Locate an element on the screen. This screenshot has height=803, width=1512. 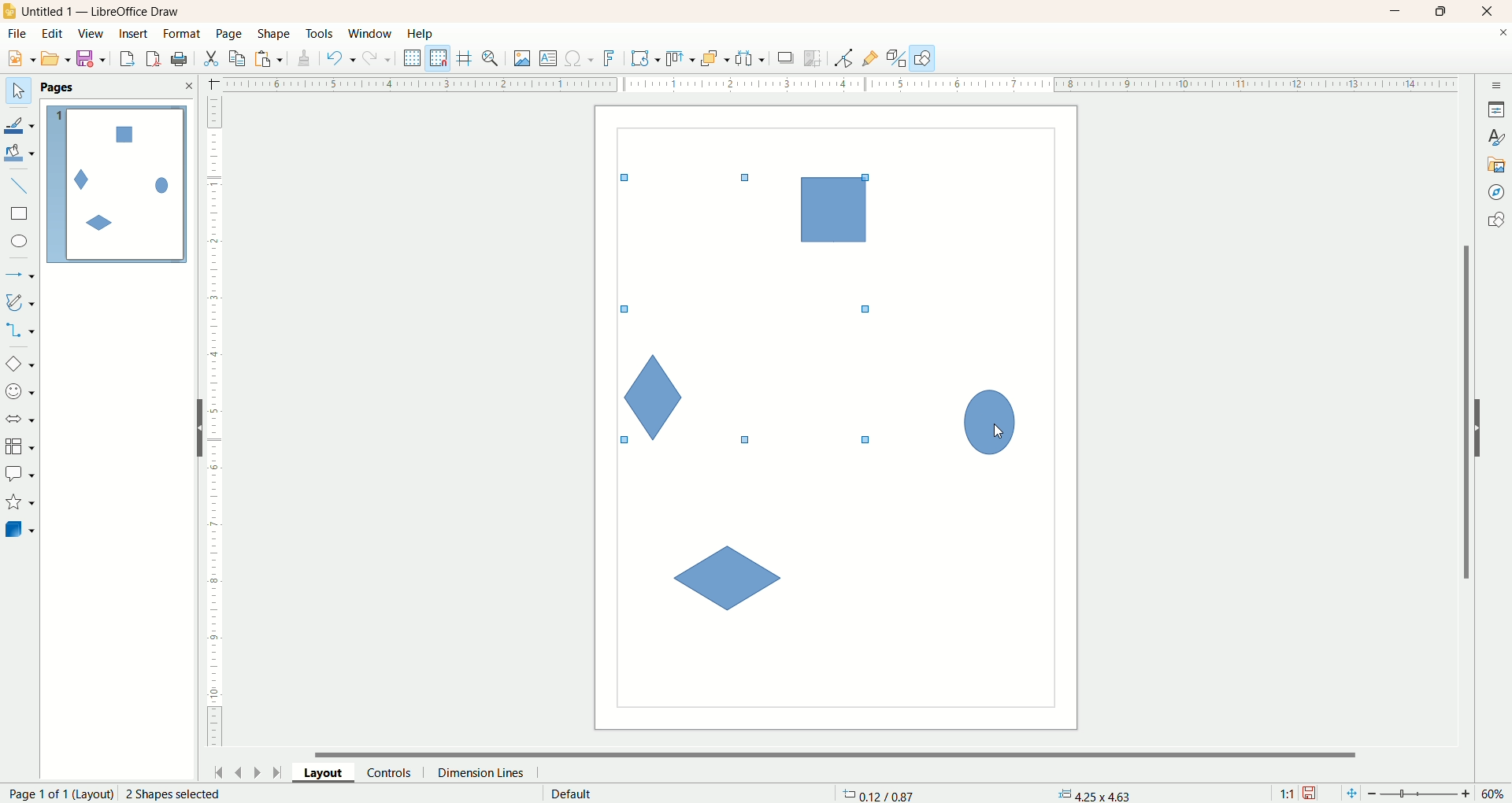
navigator is located at coordinates (1497, 193).